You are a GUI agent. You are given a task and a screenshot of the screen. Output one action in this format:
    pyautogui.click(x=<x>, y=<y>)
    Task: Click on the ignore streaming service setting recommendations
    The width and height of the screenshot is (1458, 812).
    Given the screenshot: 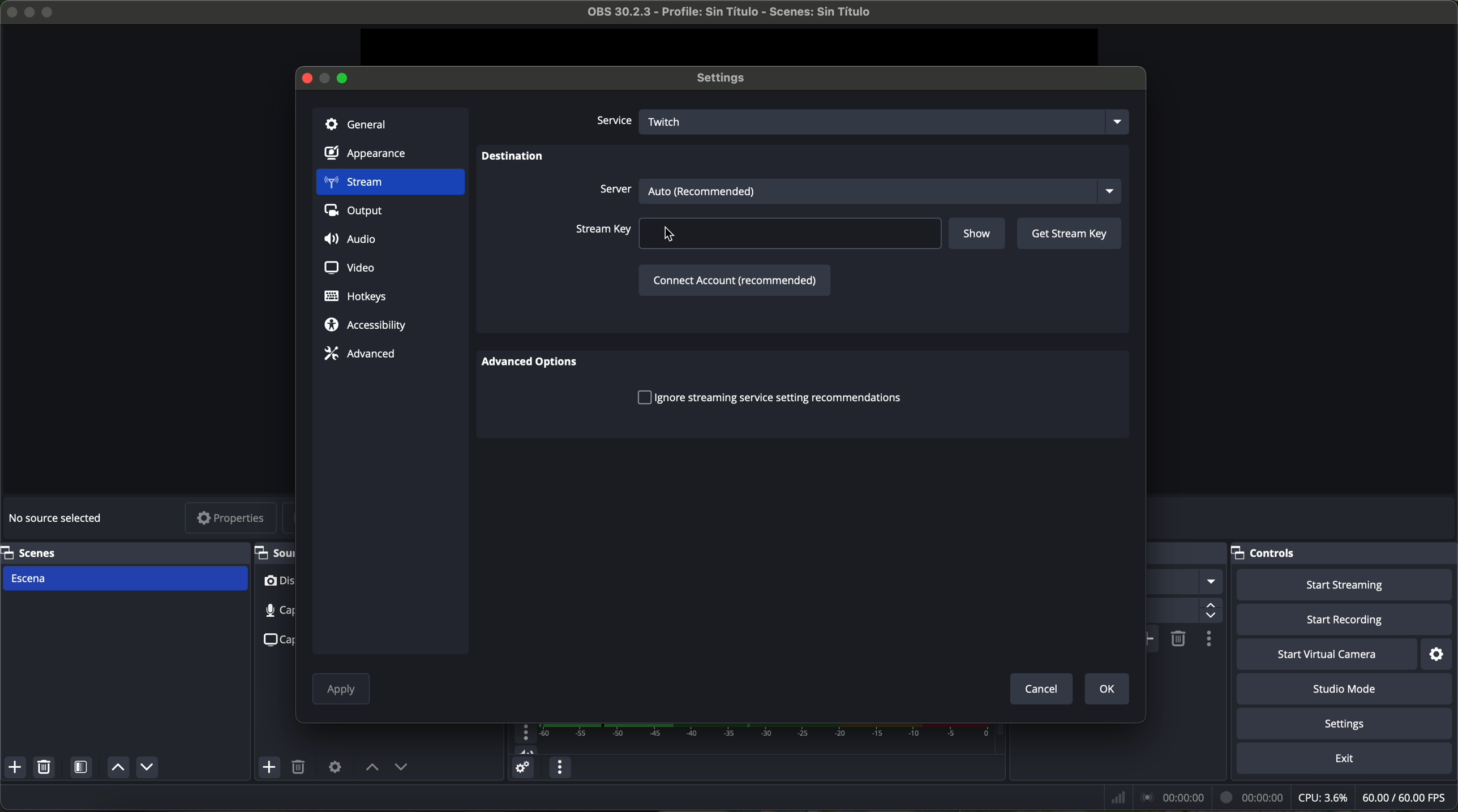 What is the action you would take?
    pyautogui.click(x=769, y=397)
    